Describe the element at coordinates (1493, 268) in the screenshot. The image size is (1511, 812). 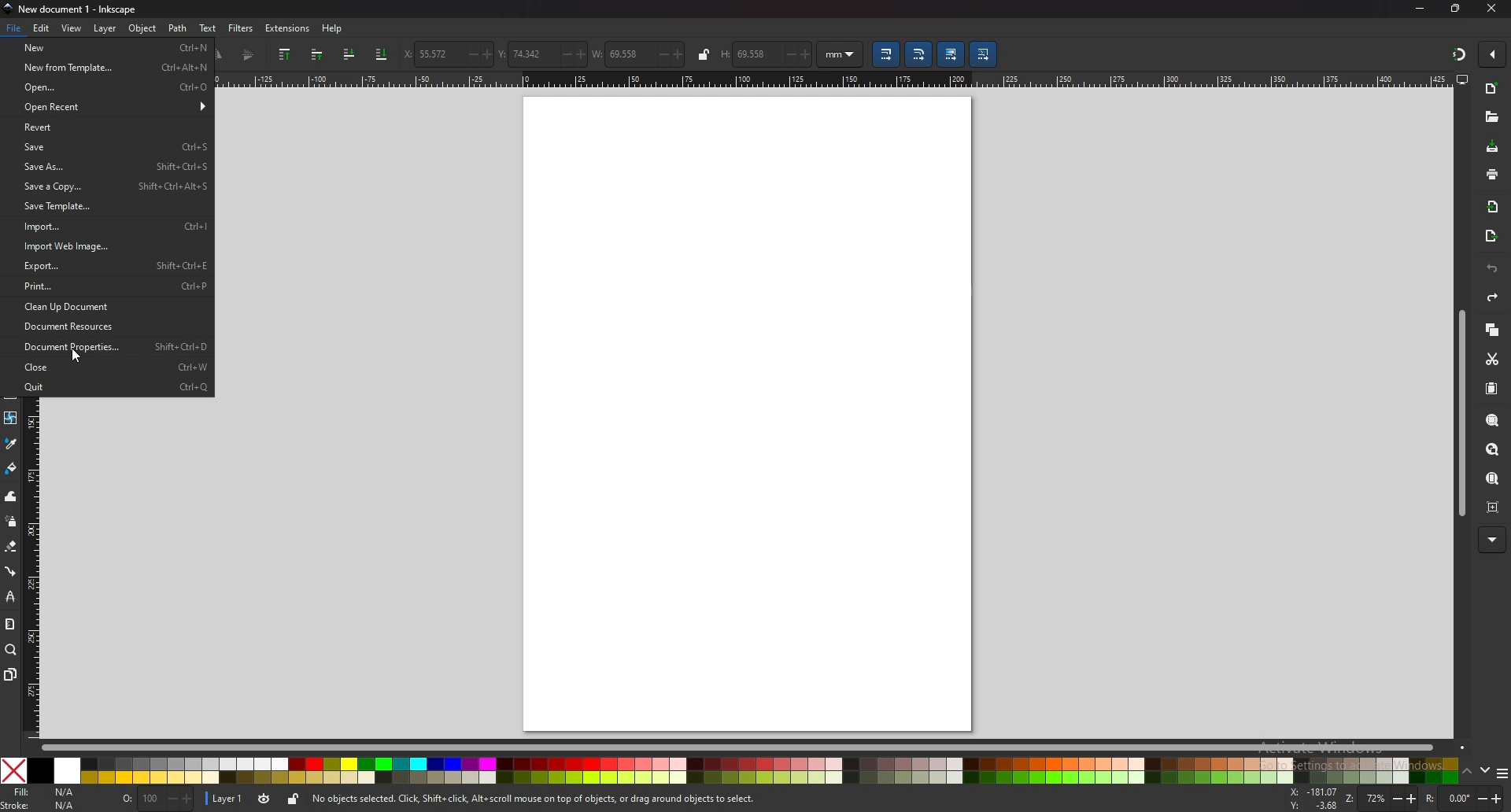
I see `undo` at that location.